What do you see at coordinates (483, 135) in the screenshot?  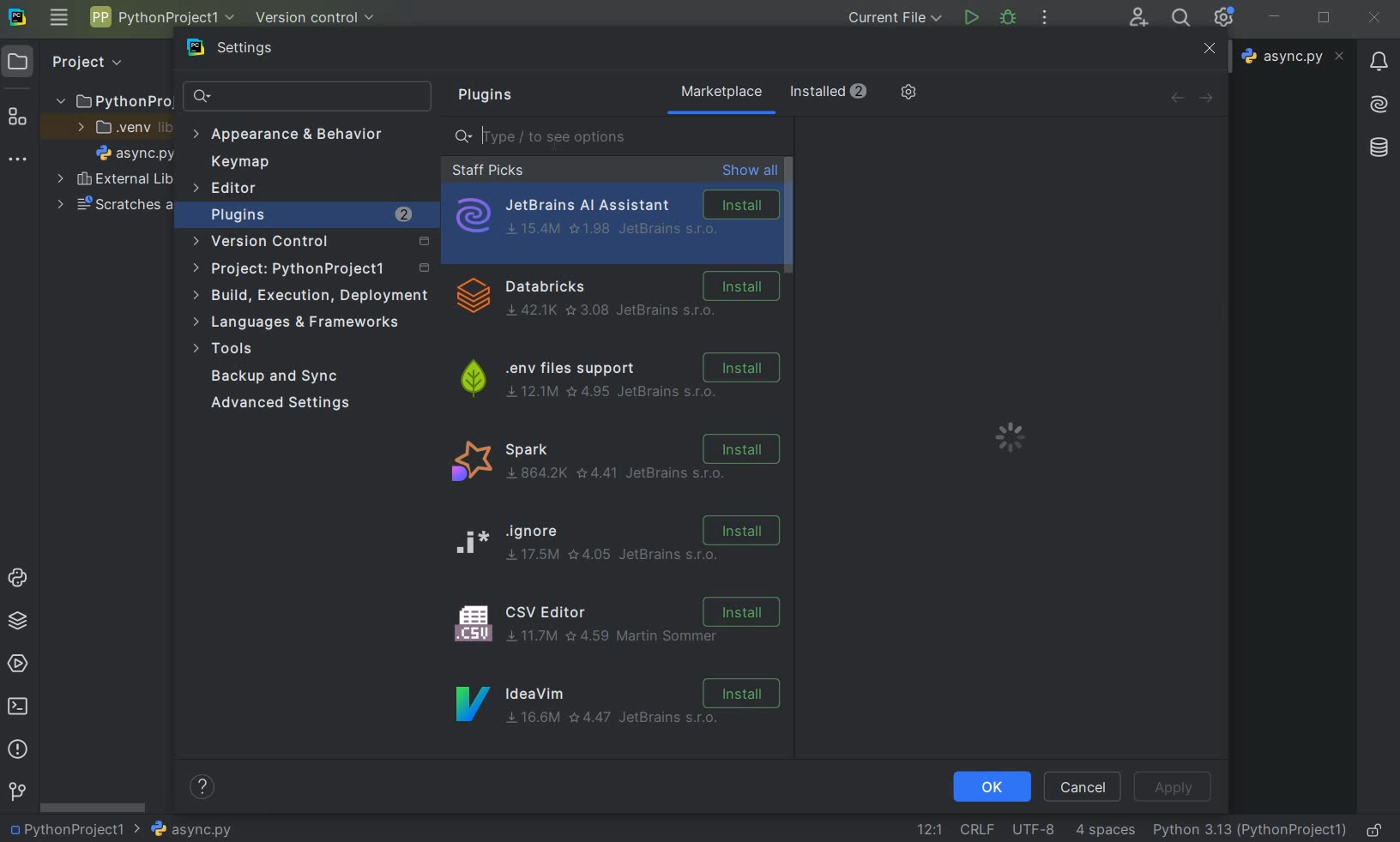 I see `editor` at bounding box center [483, 135].